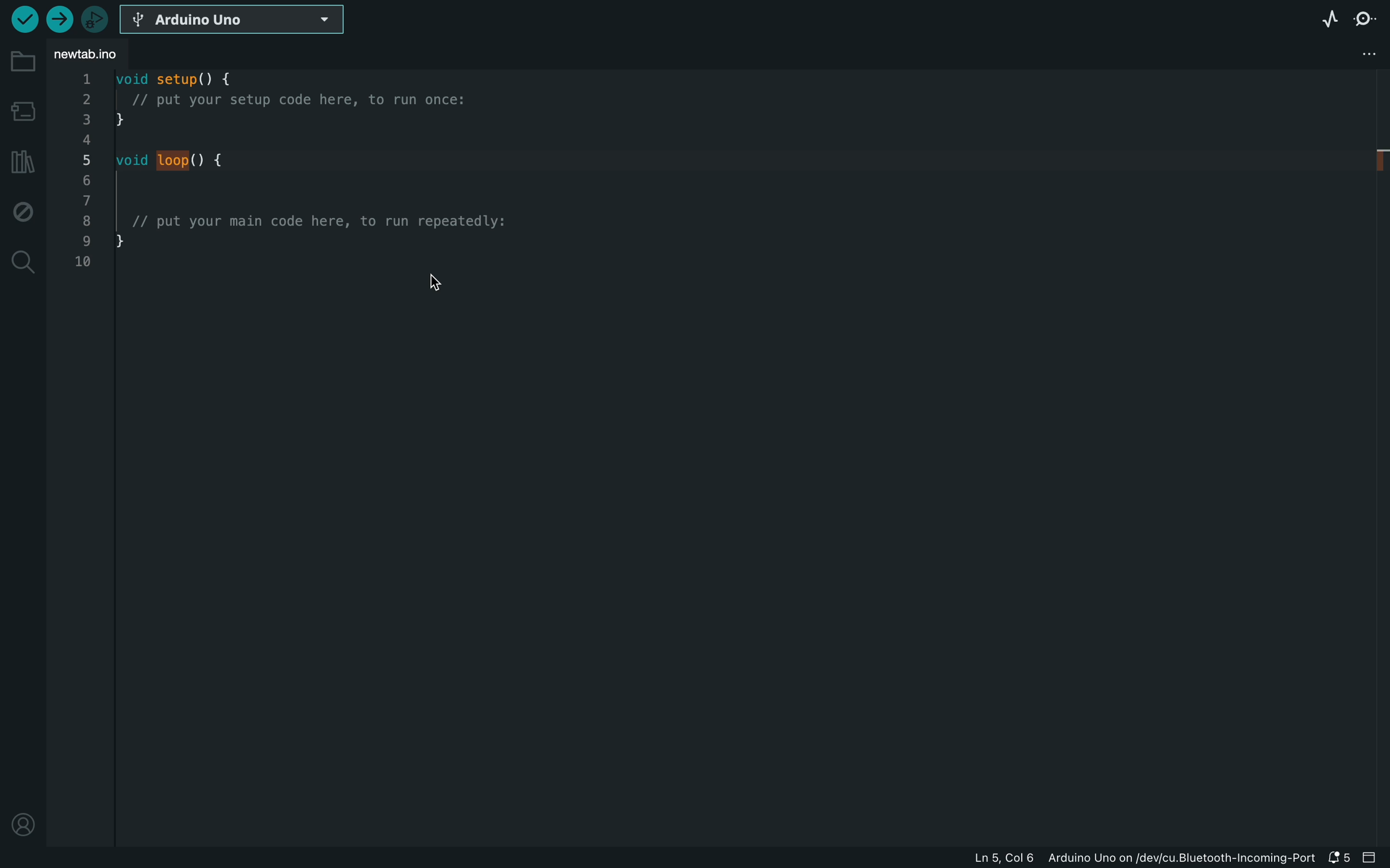 The image size is (1390, 868). What do you see at coordinates (94, 54) in the screenshot?
I see `file tab` at bounding box center [94, 54].